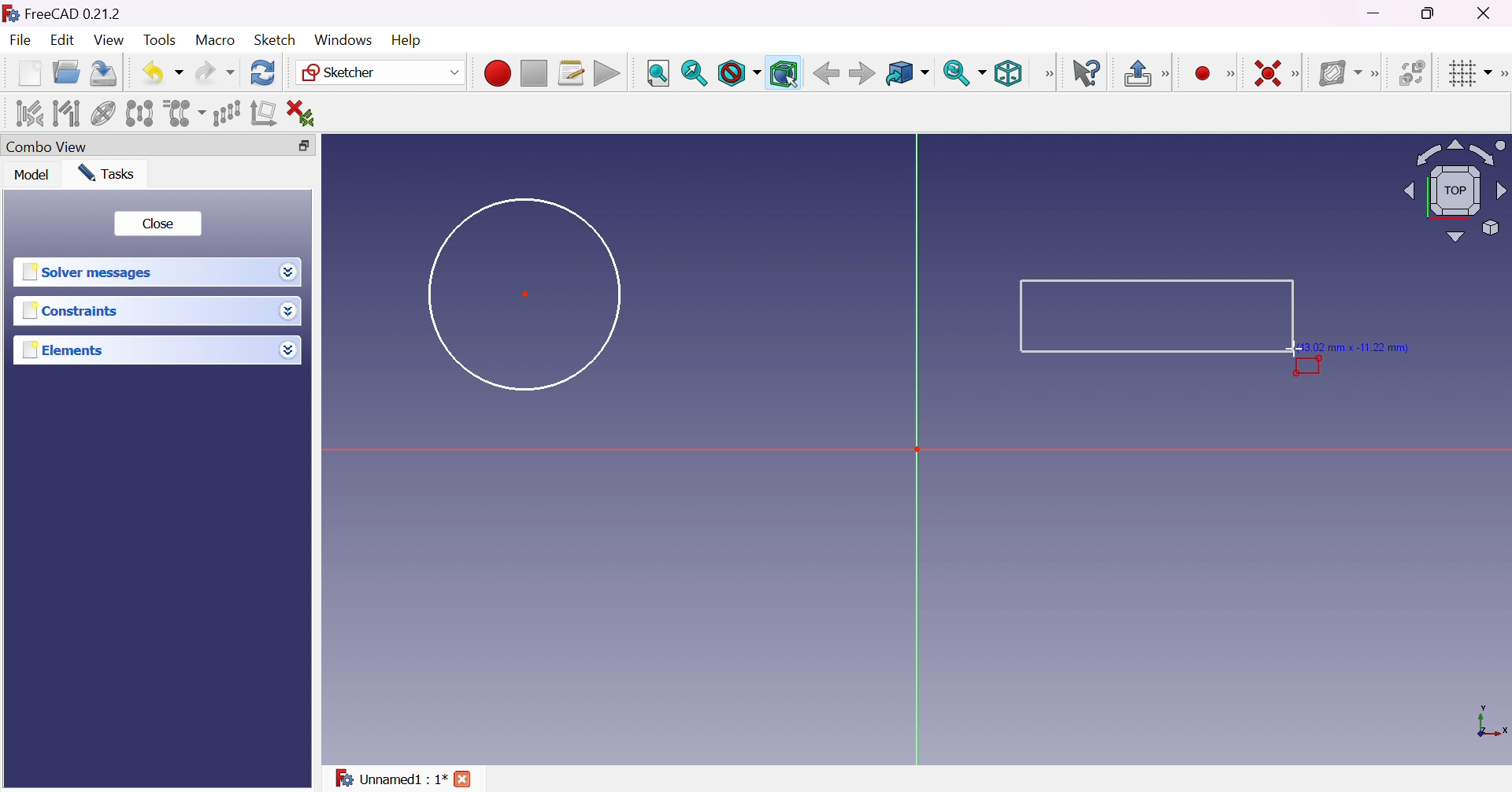 The height and width of the screenshot is (792, 1512). What do you see at coordinates (183, 112) in the screenshot?
I see `Clone` at bounding box center [183, 112].